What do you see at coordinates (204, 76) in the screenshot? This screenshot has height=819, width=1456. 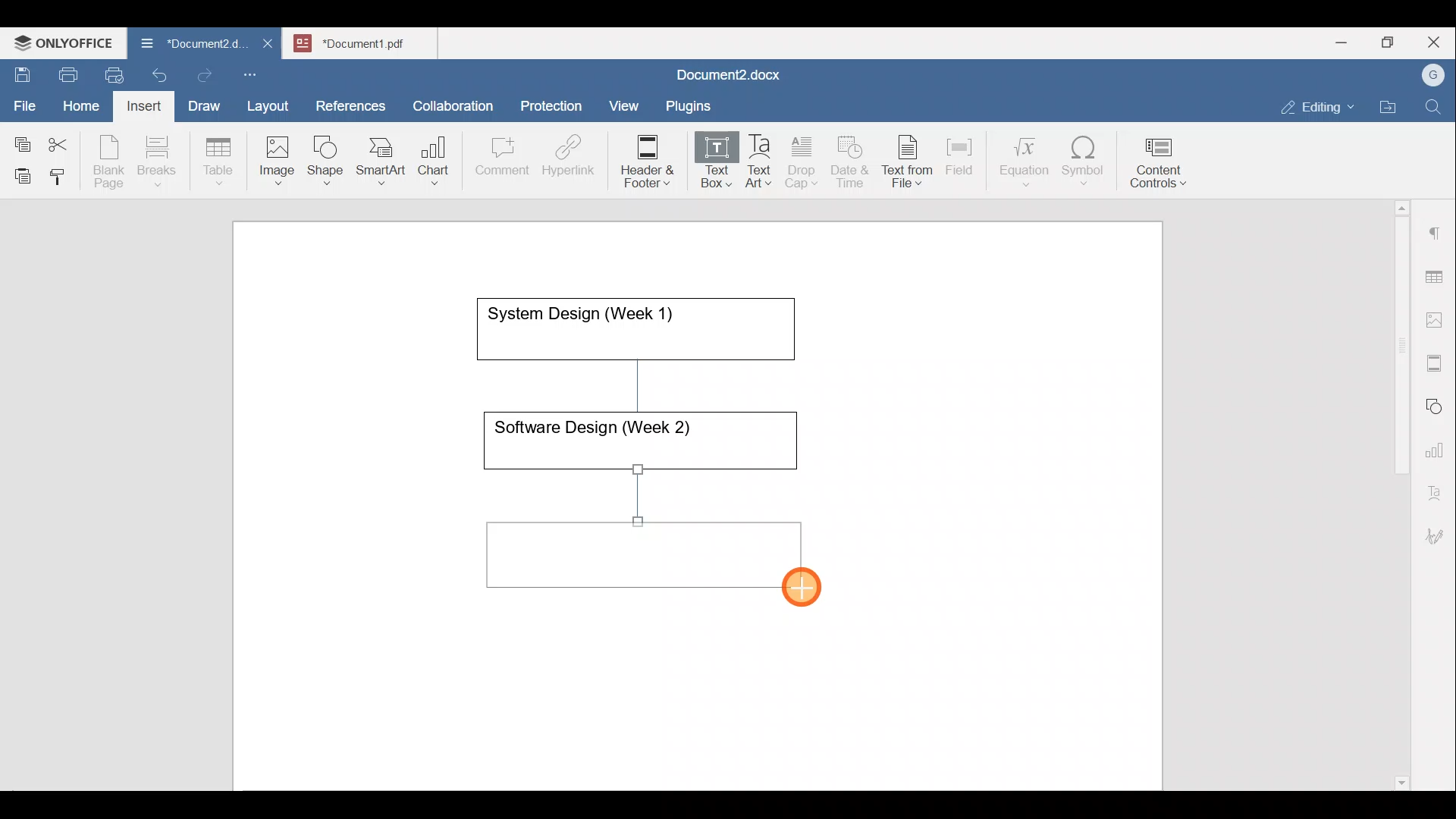 I see `Redo` at bounding box center [204, 76].